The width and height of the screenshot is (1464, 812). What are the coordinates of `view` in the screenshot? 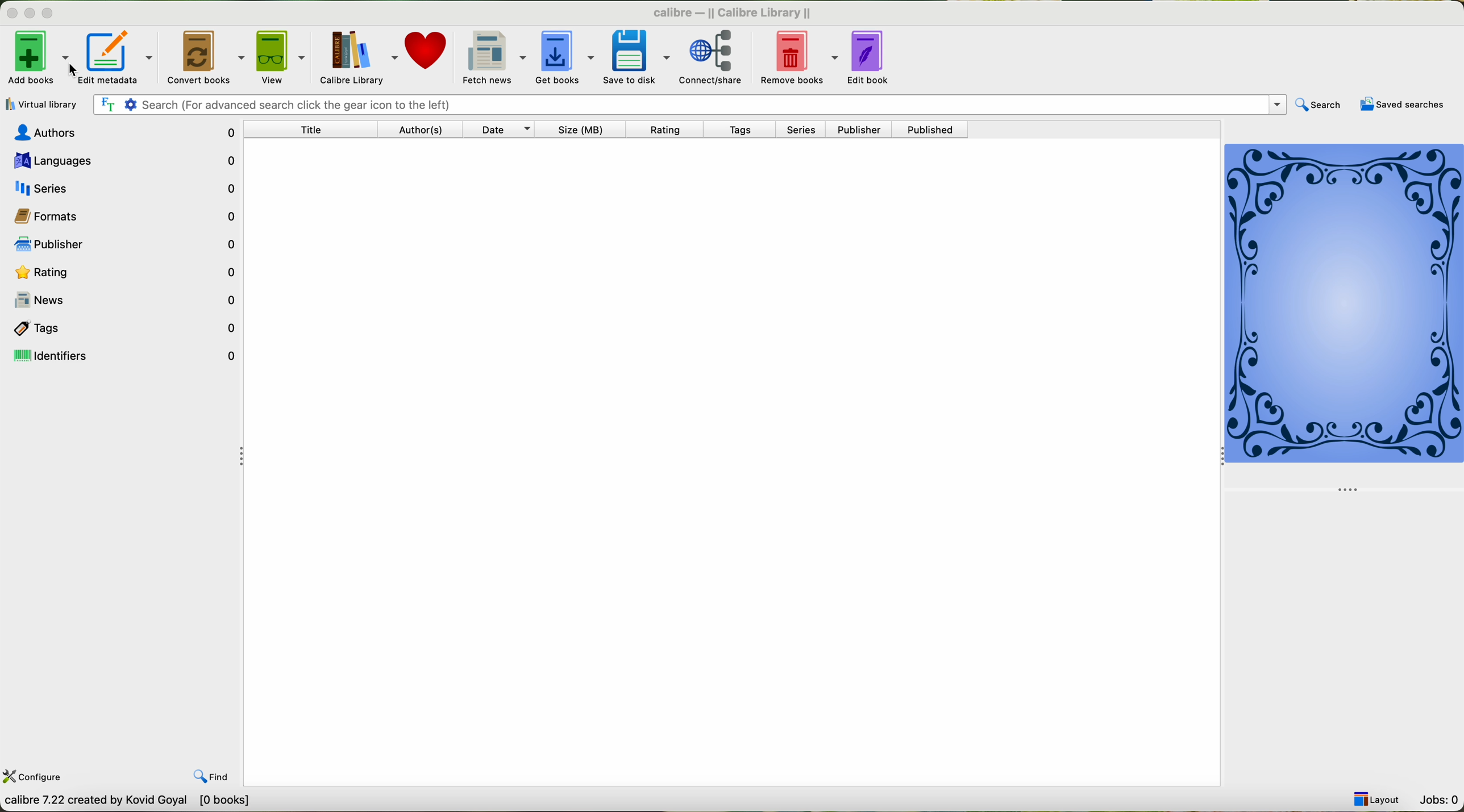 It's located at (281, 57).